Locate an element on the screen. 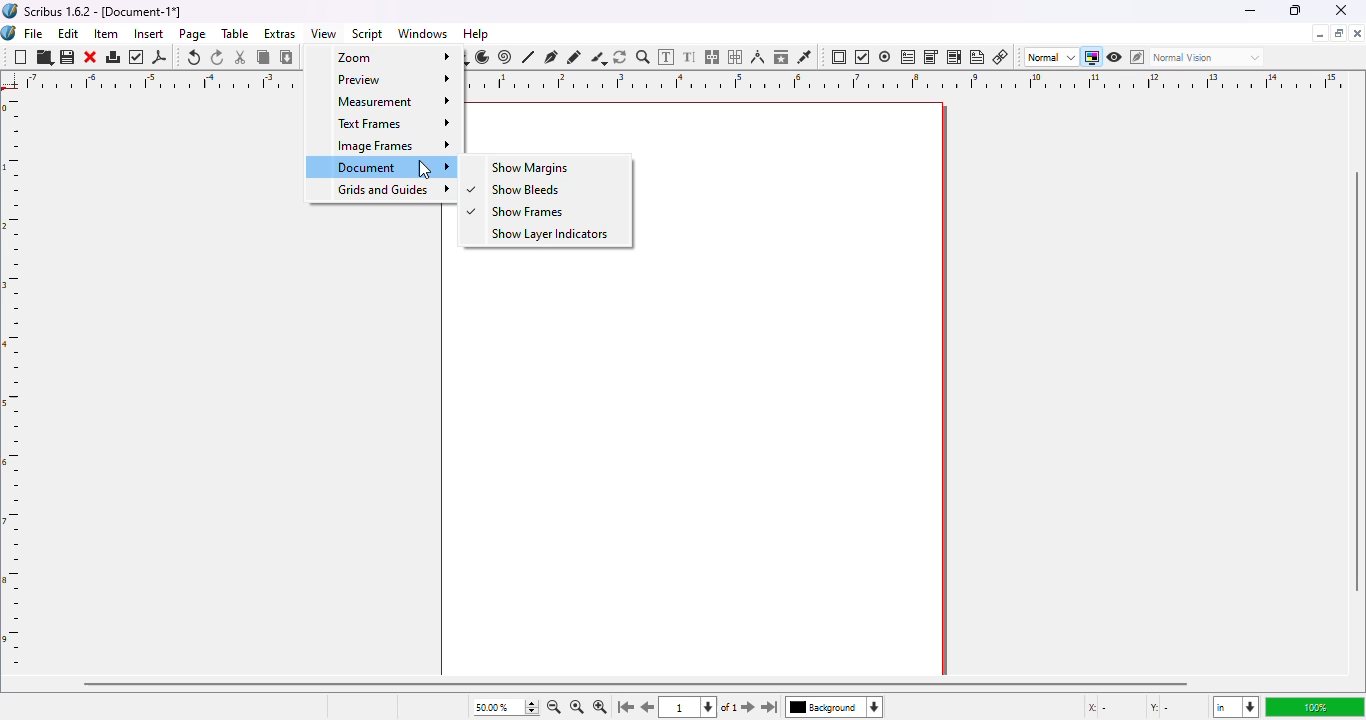 Image resolution: width=1366 pixels, height=720 pixels. view is located at coordinates (324, 33).